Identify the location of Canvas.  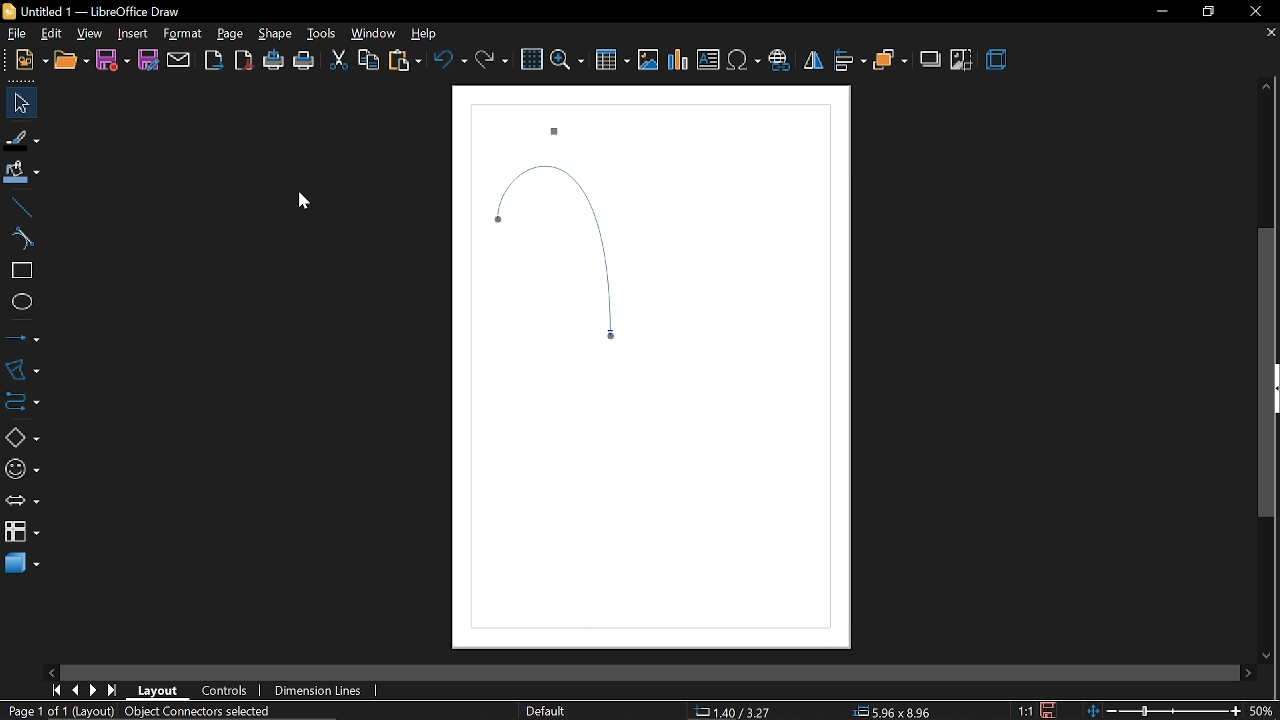
(655, 531).